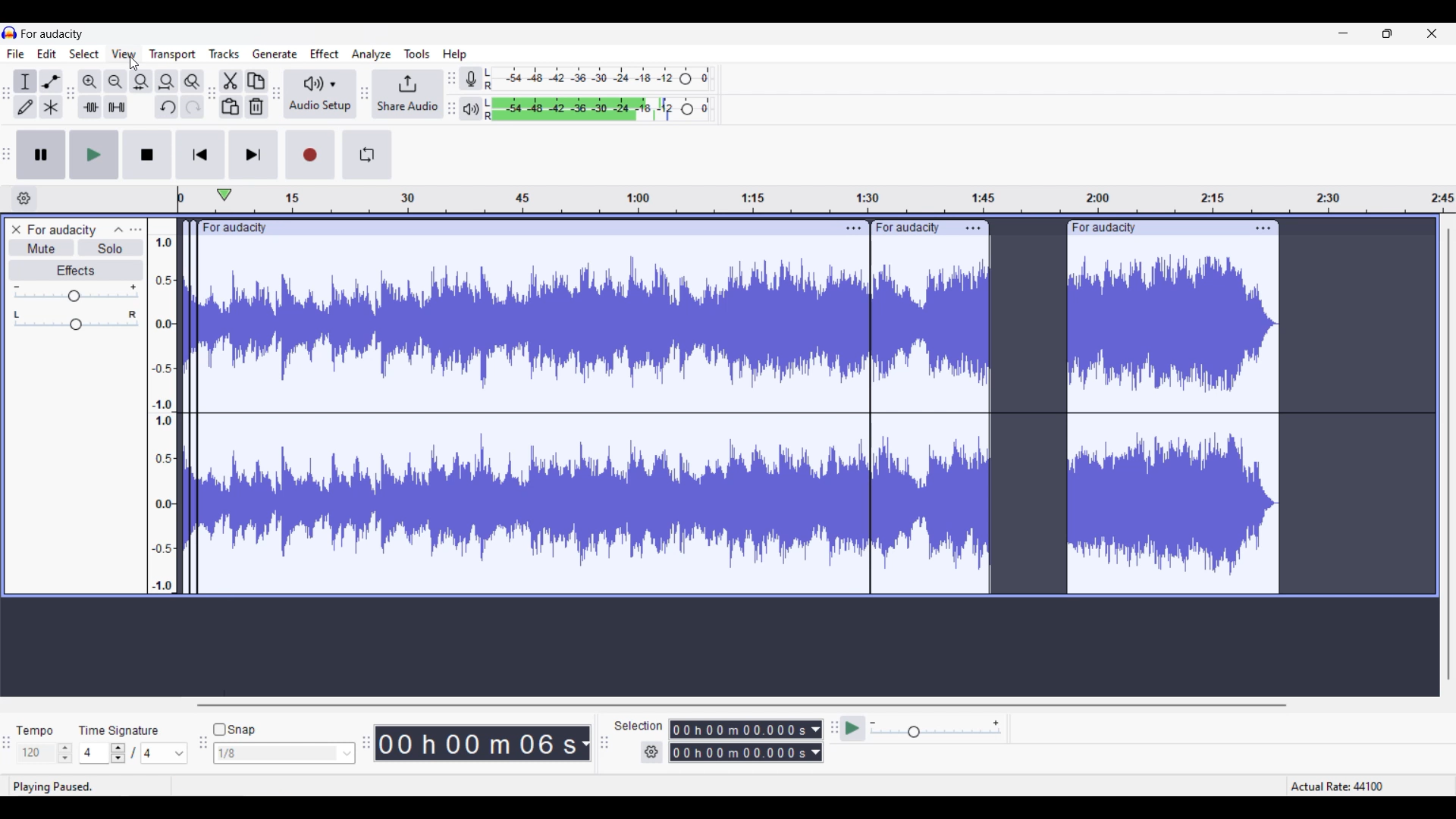 This screenshot has height=819, width=1456. What do you see at coordinates (817, 741) in the screenshot?
I see `Duration measurement` at bounding box center [817, 741].